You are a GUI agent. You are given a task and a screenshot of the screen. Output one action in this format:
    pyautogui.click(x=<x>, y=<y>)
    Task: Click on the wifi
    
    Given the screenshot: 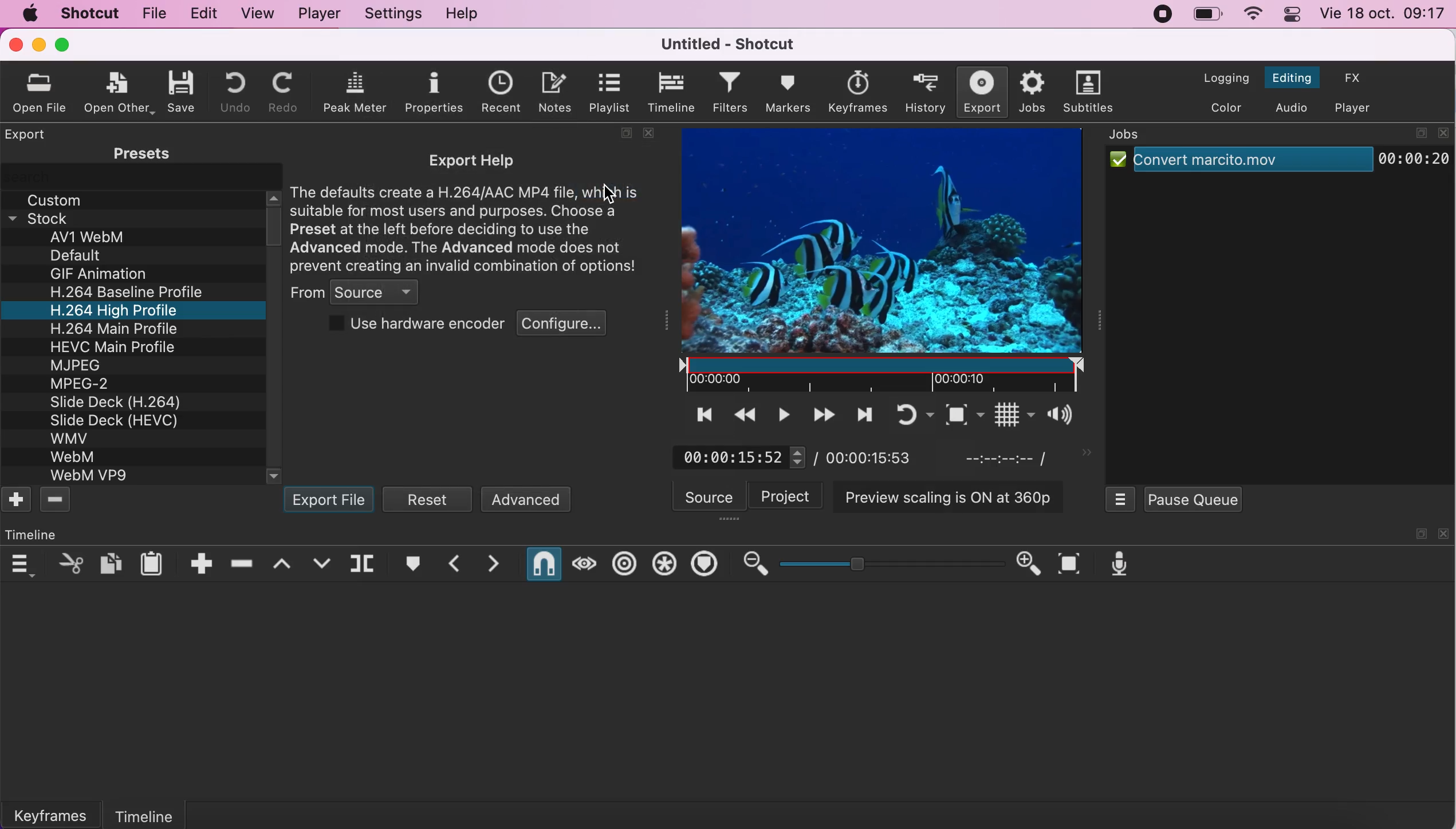 What is the action you would take?
    pyautogui.click(x=1250, y=15)
    